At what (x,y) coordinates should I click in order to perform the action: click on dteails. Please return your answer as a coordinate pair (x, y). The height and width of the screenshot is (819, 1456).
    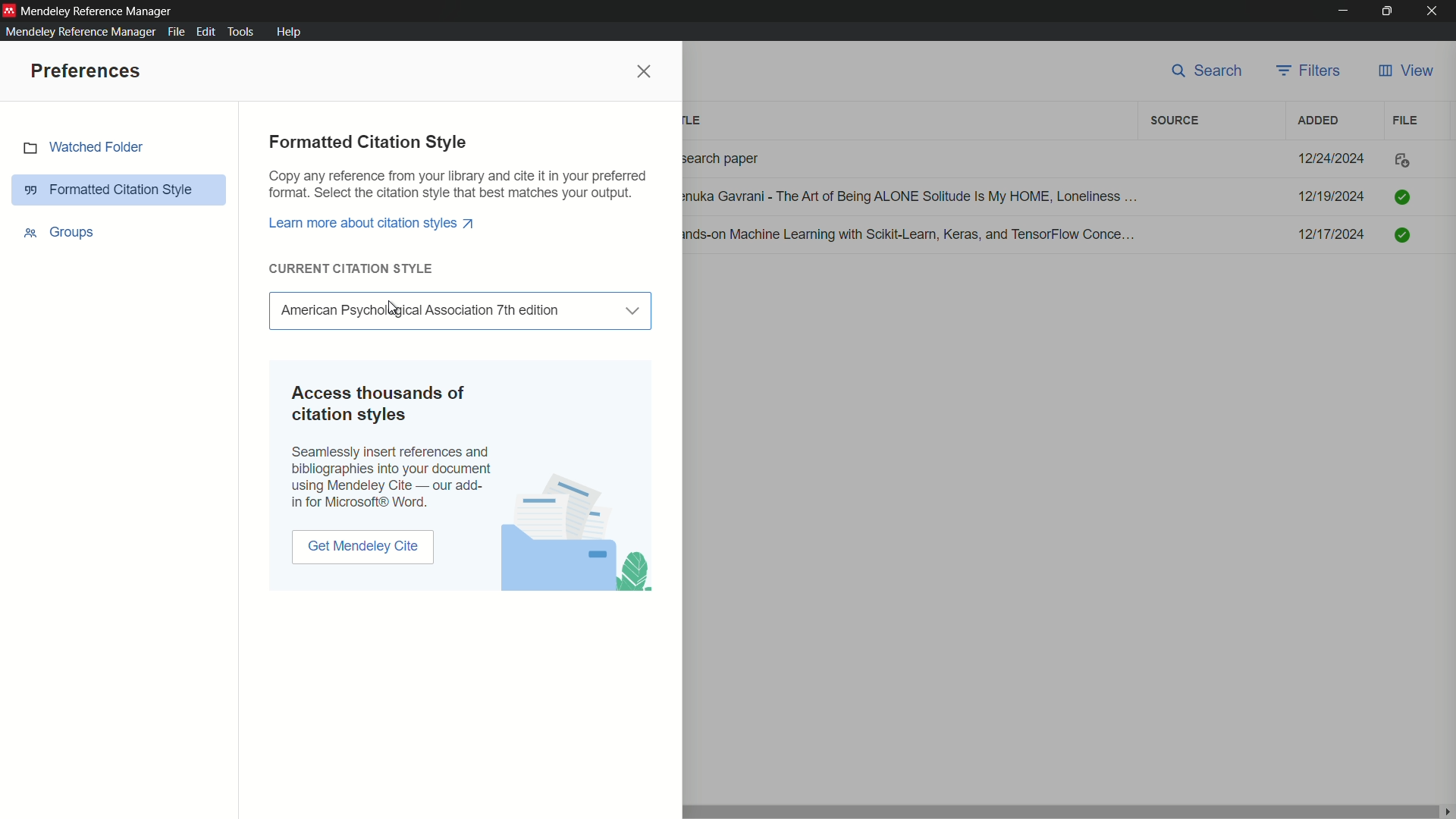
    Looking at the image, I should click on (1053, 199).